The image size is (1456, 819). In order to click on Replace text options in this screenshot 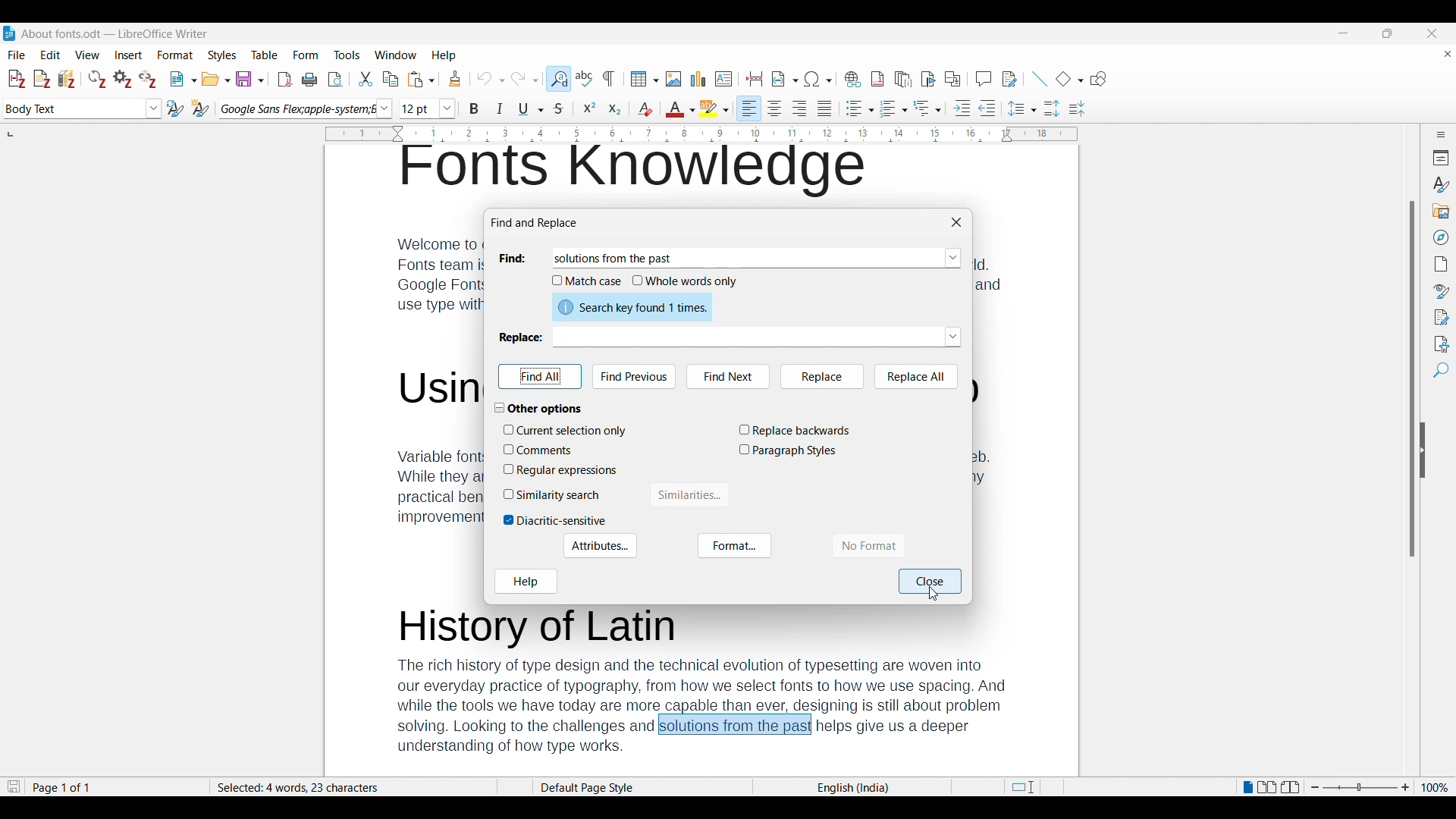, I will do `click(952, 337)`.